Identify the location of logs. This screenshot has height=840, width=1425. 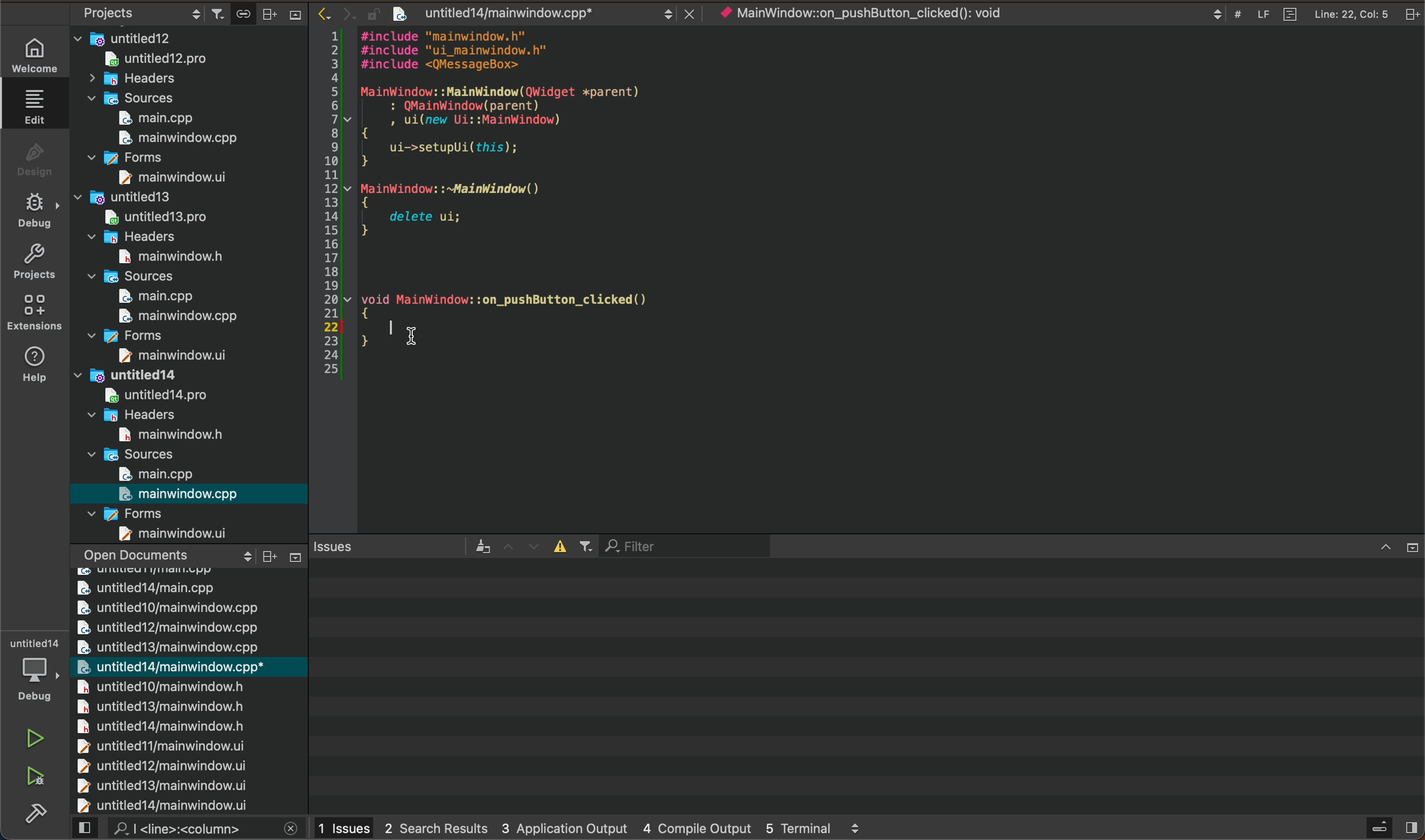
(593, 829).